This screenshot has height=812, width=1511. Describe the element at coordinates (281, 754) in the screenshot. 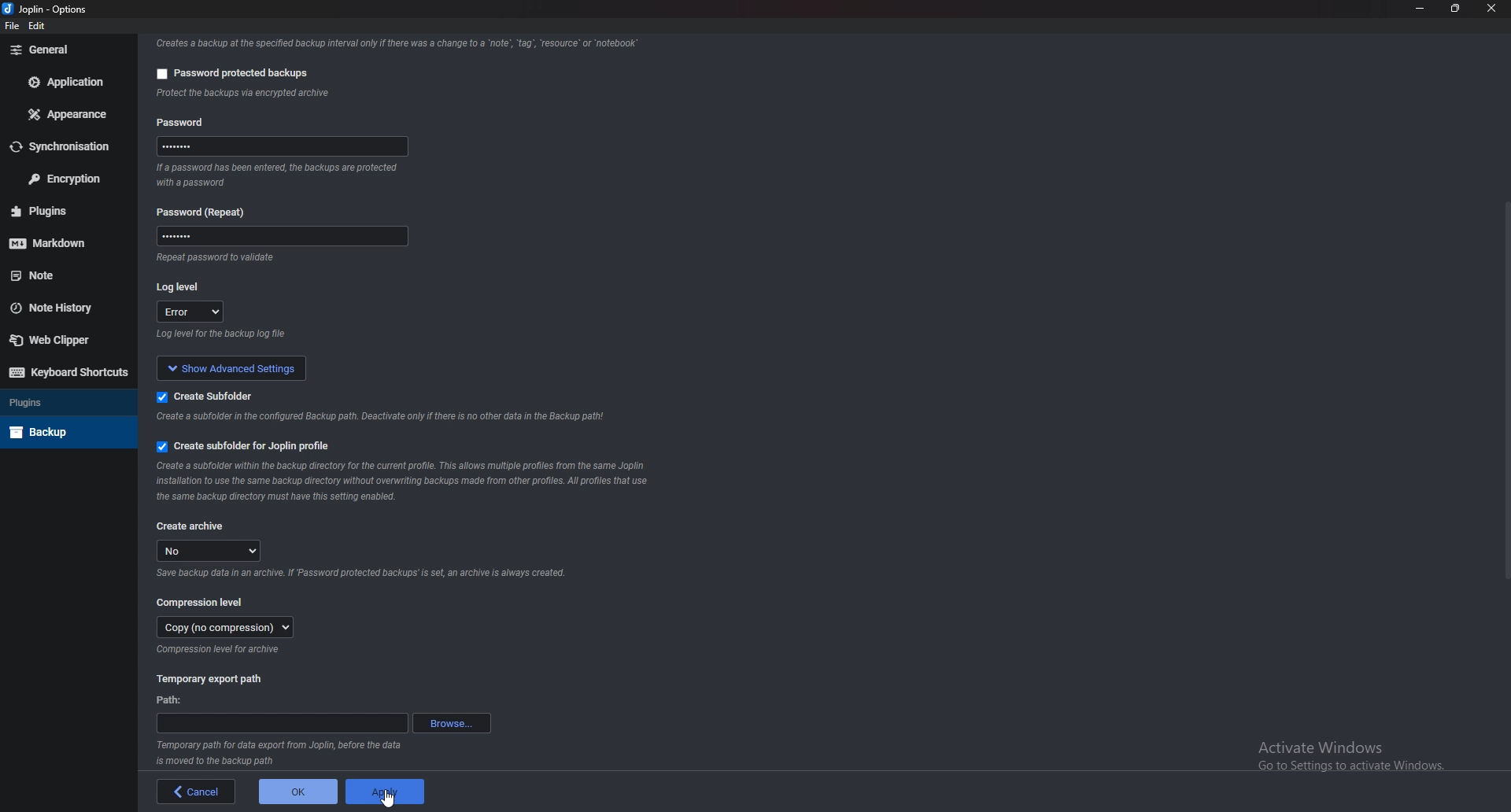

I see `Info` at that location.